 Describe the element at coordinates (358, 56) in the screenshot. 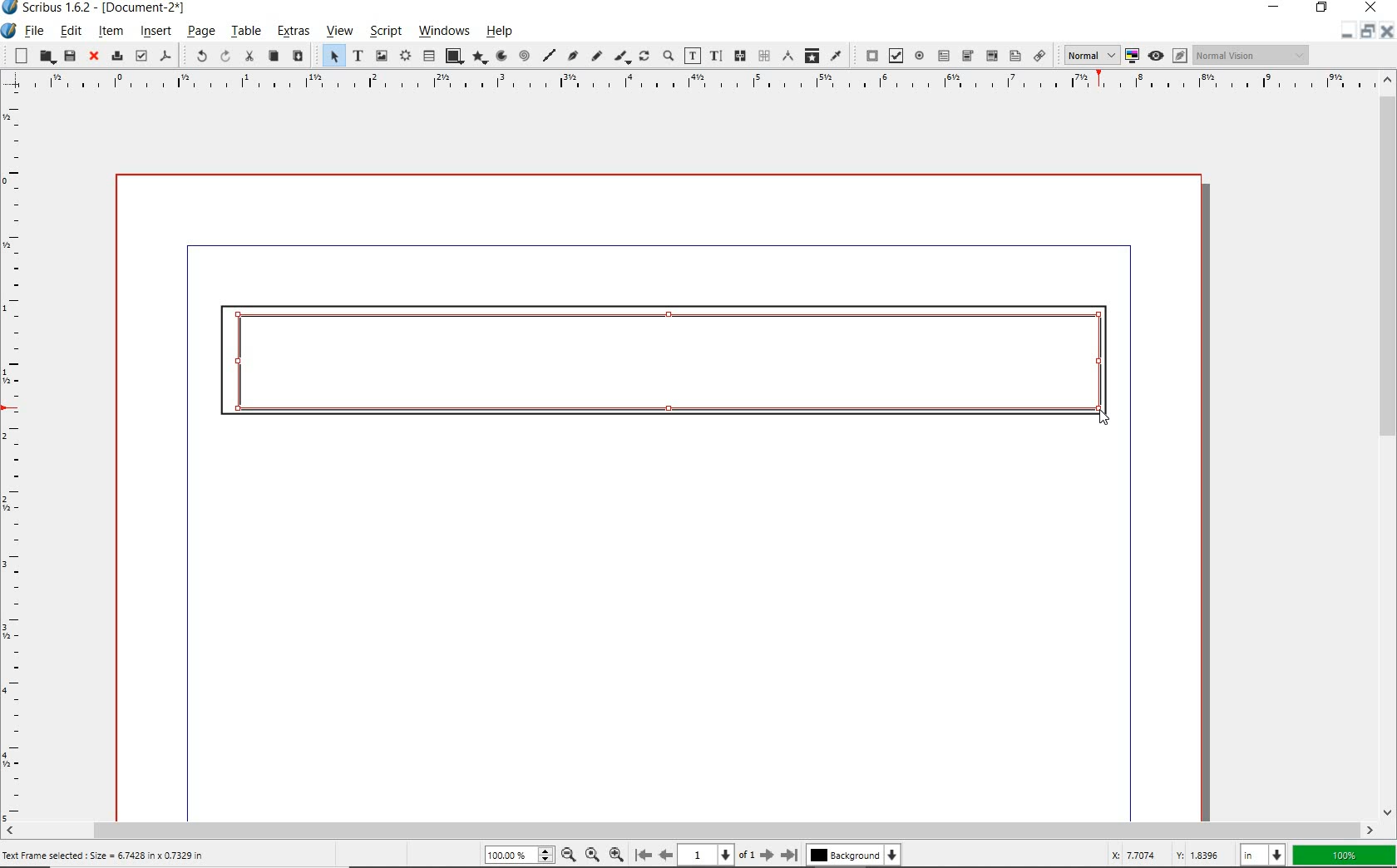

I see `text frame` at that location.